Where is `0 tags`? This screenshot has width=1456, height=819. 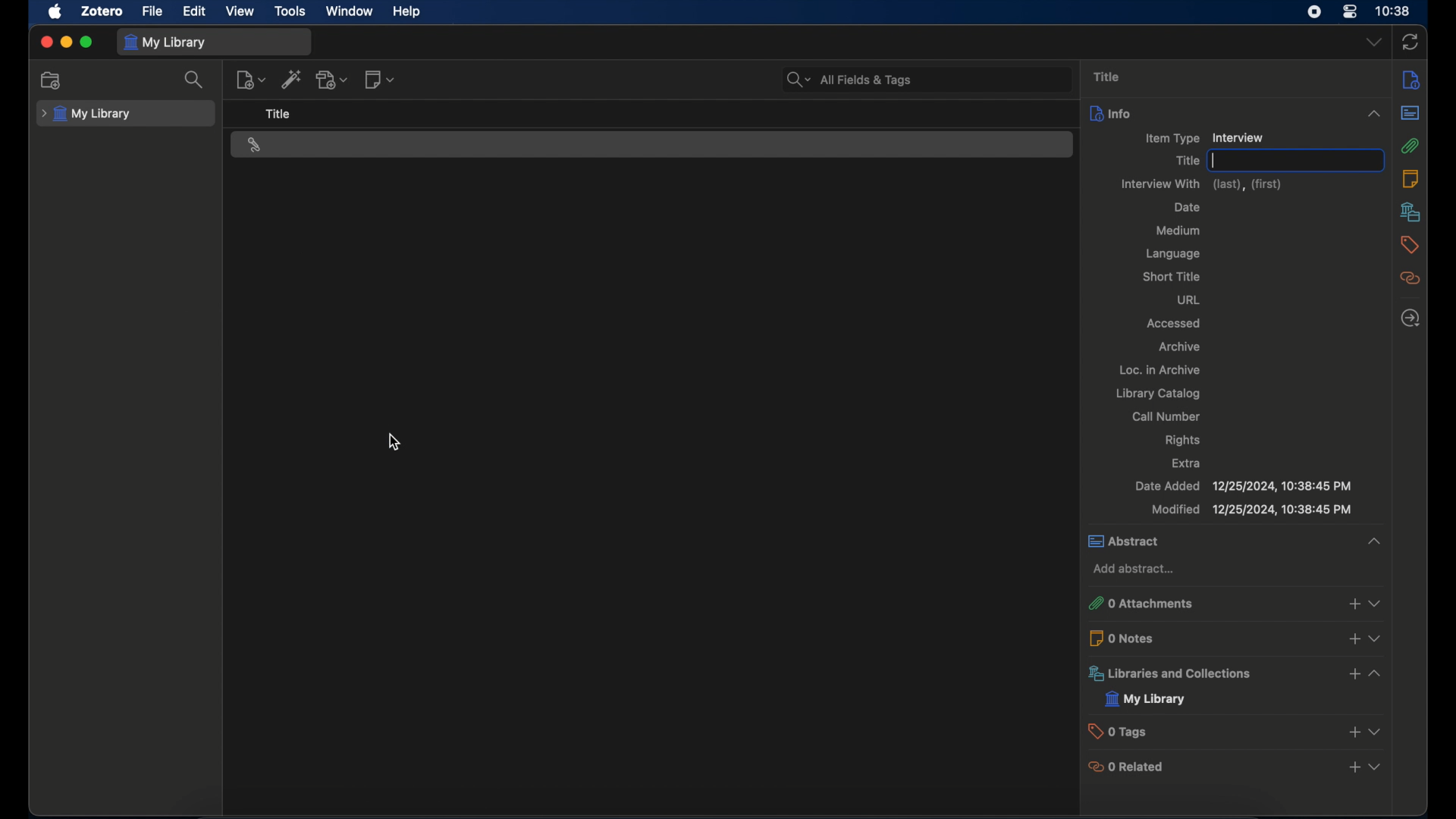 0 tags is located at coordinates (1125, 733).